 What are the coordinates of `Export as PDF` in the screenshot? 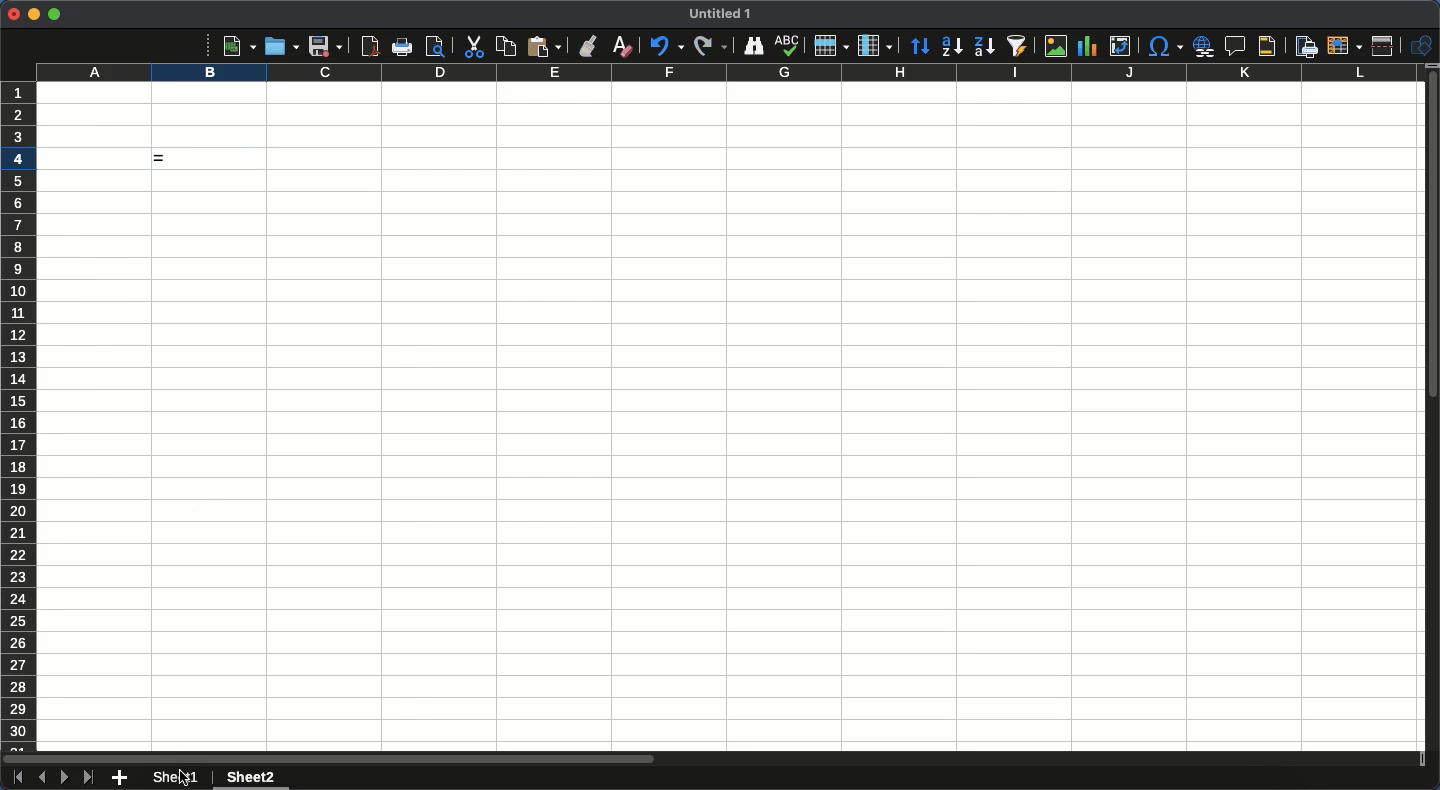 It's located at (369, 46).